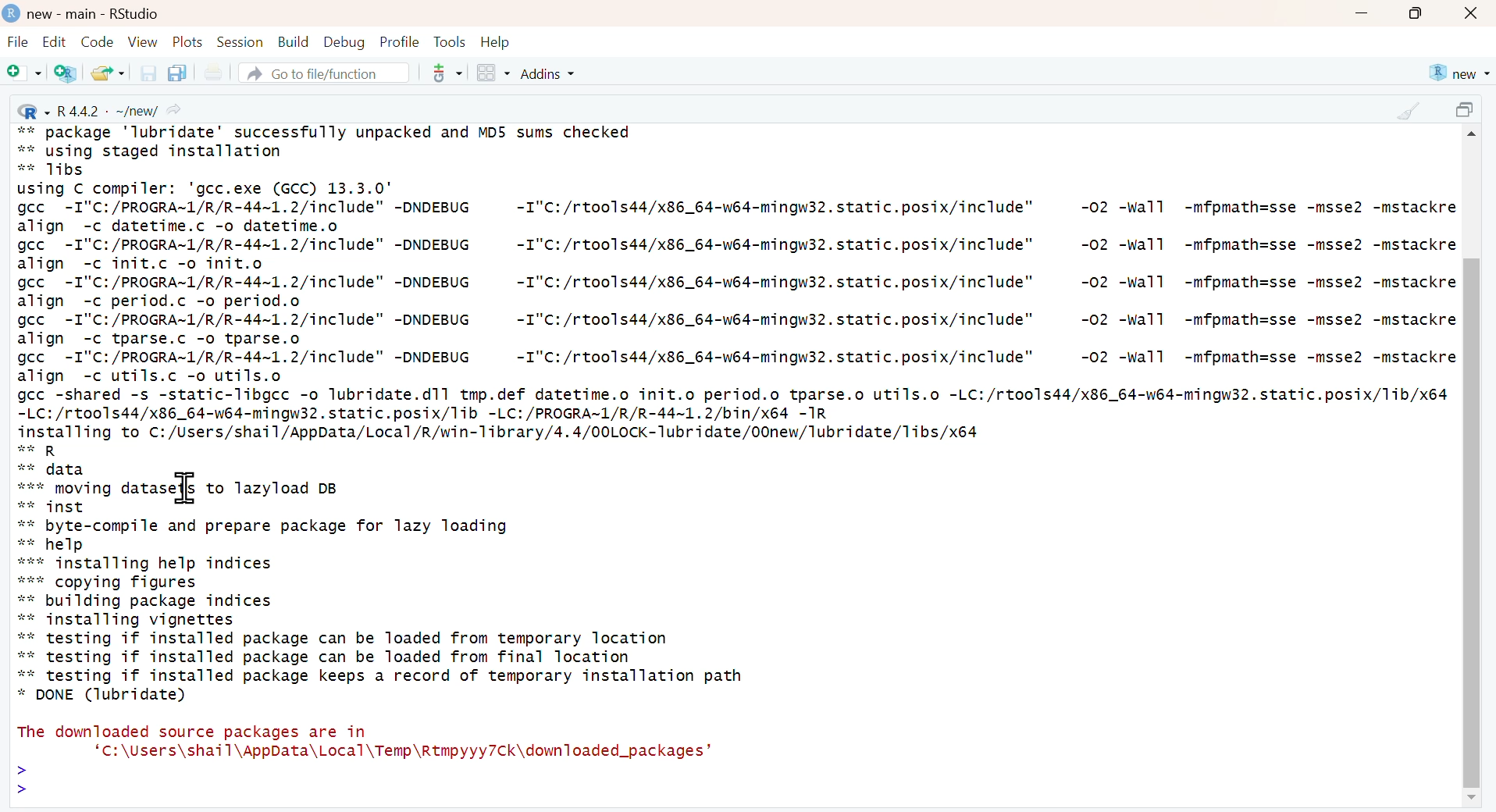 This screenshot has width=1496, height=812. I want to click on Code, so click(95, 41).